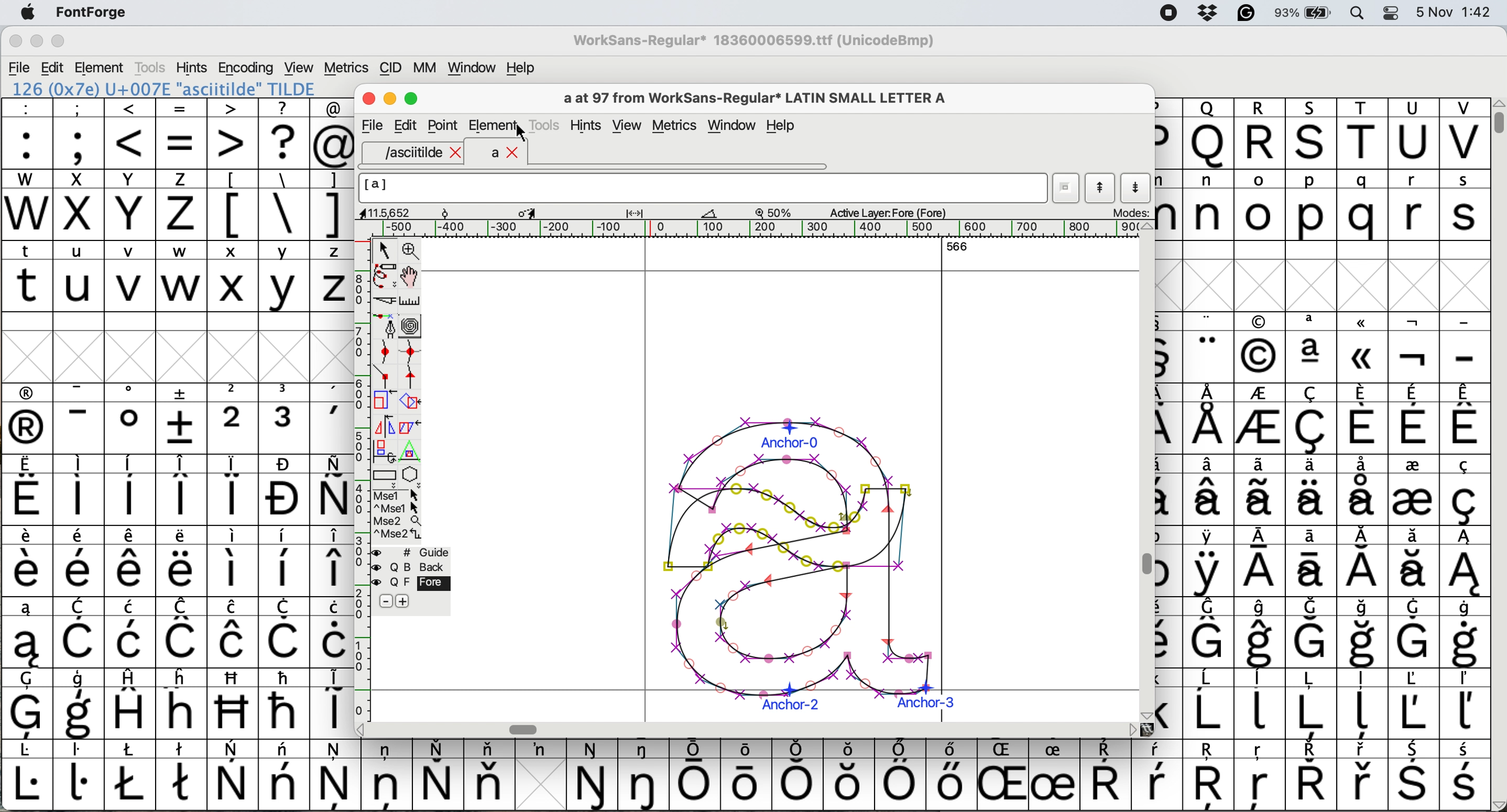 Image resolution: width=1507 pixels, height=812 pixels. Describe the element at coordinates (386, 248) in the screenshot. I see `select` at that location.